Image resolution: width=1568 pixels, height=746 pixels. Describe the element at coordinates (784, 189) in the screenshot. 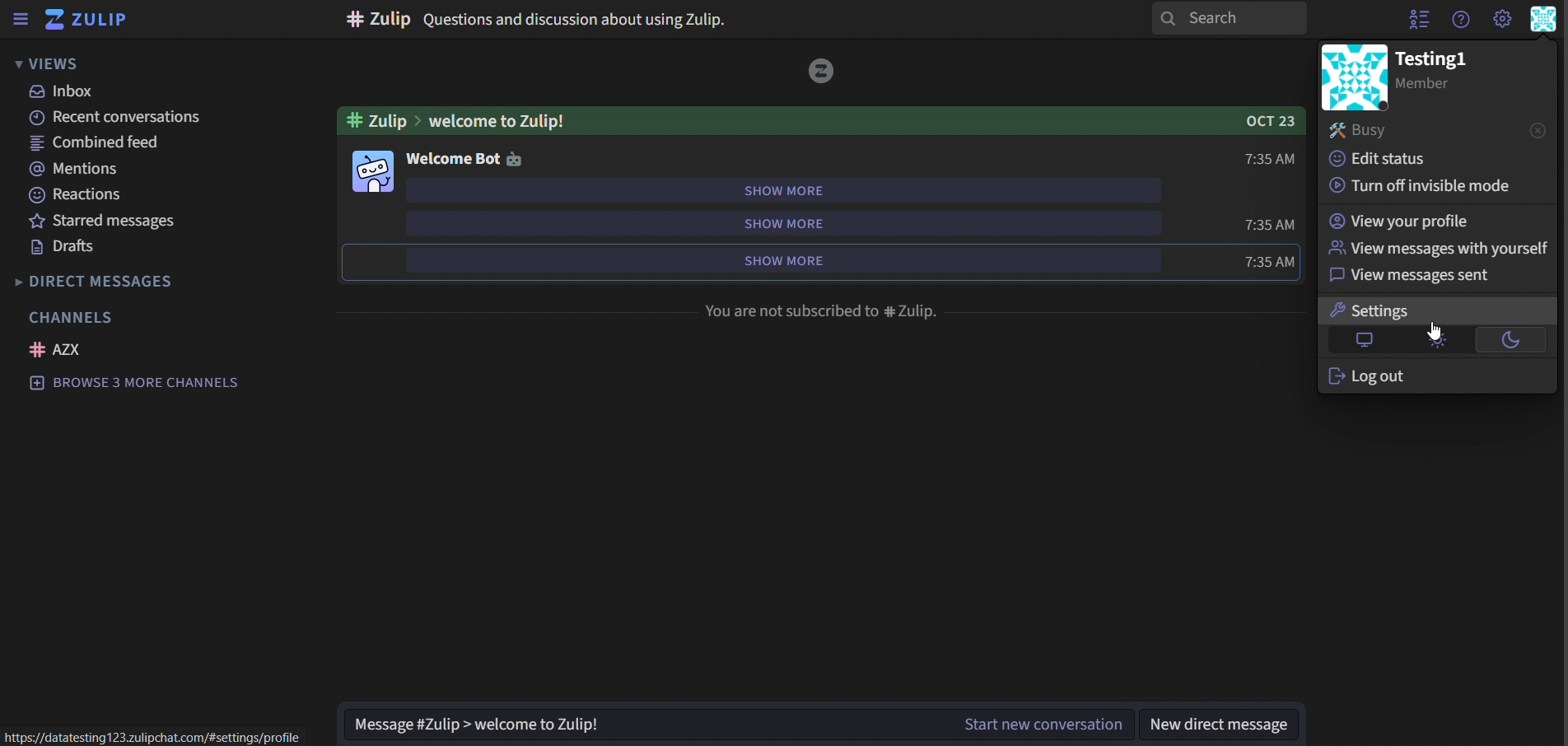

I see `show more` at that location.